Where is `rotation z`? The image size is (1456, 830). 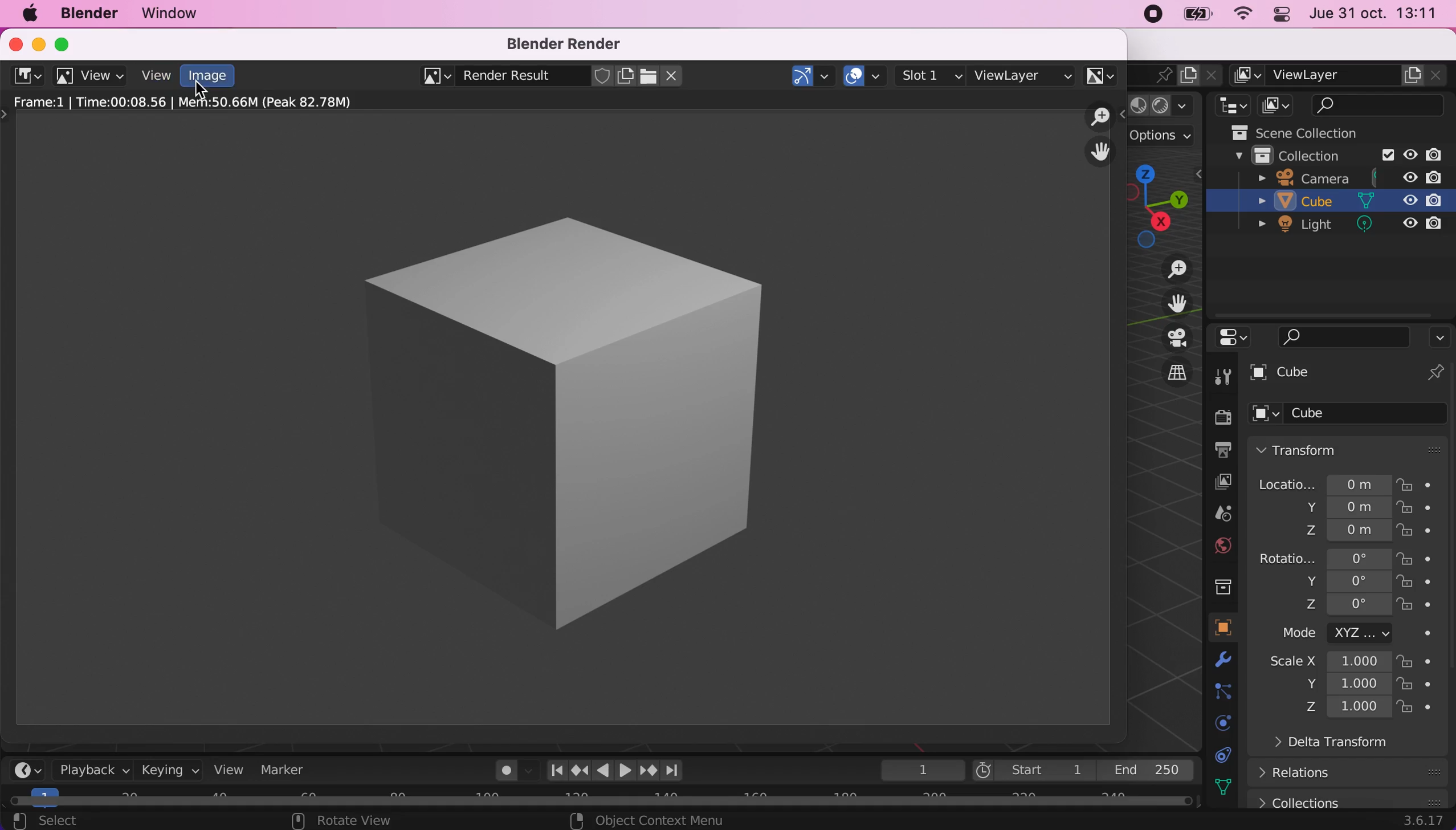 rotation z is located at coordinates (1319, 609).